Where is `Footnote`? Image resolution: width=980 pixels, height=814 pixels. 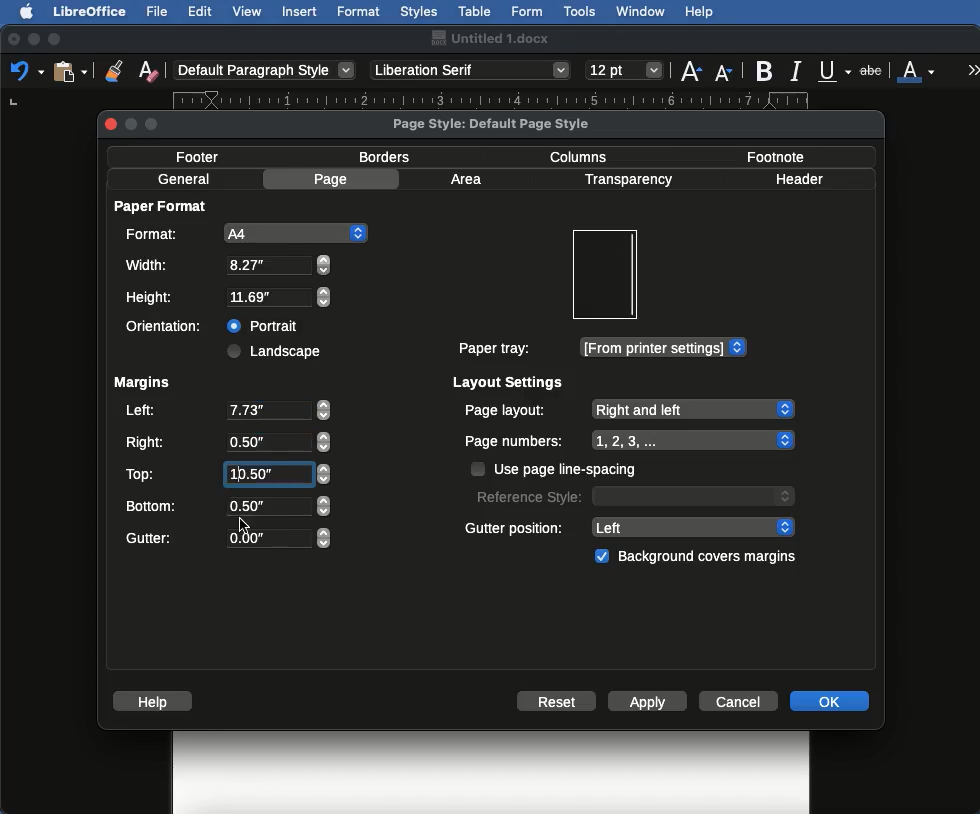 Footnote is located at coordinates (774, 156).